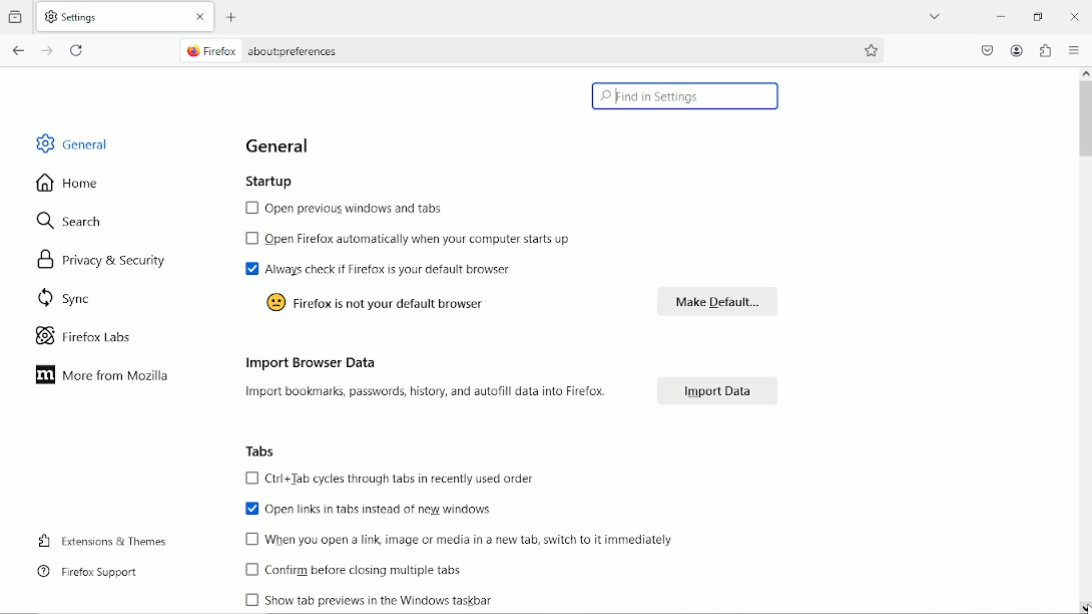 This screenshot has height=614, width=1092. What do you see at coordinates (988, 50) in the screenshot?
I see `save to pocket` at bounding box center [988, 50].